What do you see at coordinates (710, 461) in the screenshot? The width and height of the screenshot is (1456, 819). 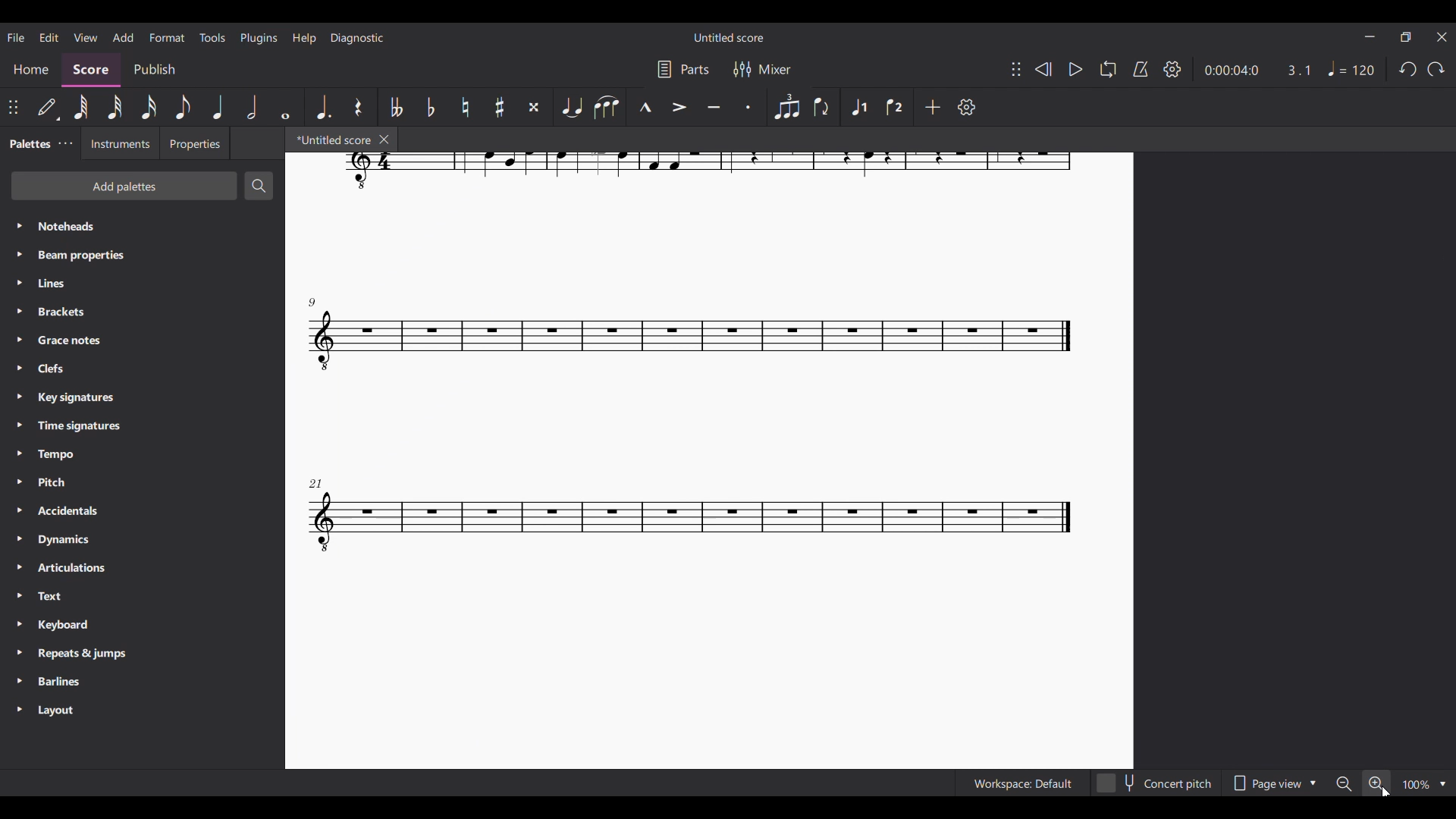 I see `Current score zoomed in` at bounding box center [710, 461].